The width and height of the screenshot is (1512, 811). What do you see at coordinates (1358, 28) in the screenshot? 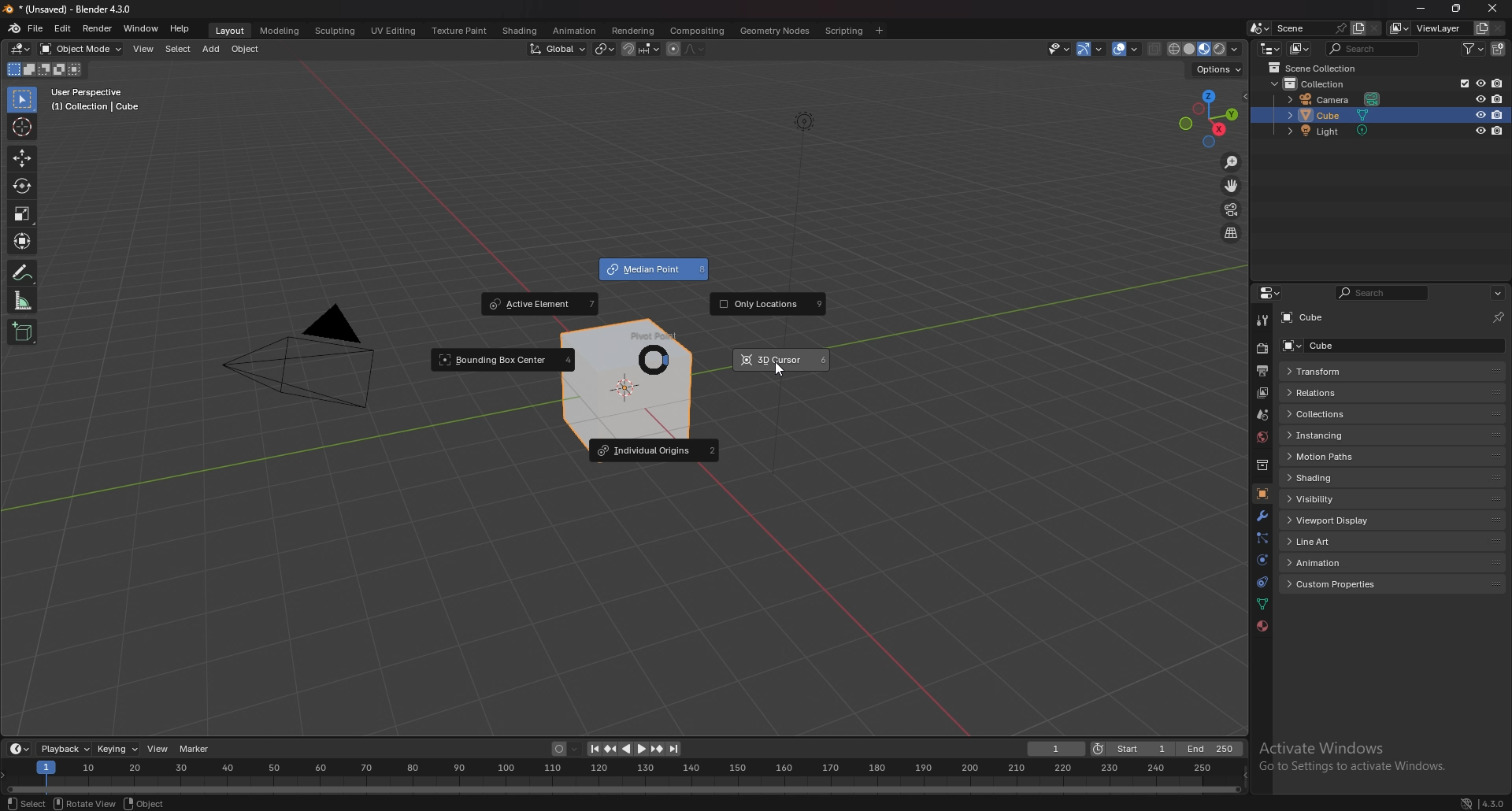
I see `add scene` at bounding box center [1358, 28].